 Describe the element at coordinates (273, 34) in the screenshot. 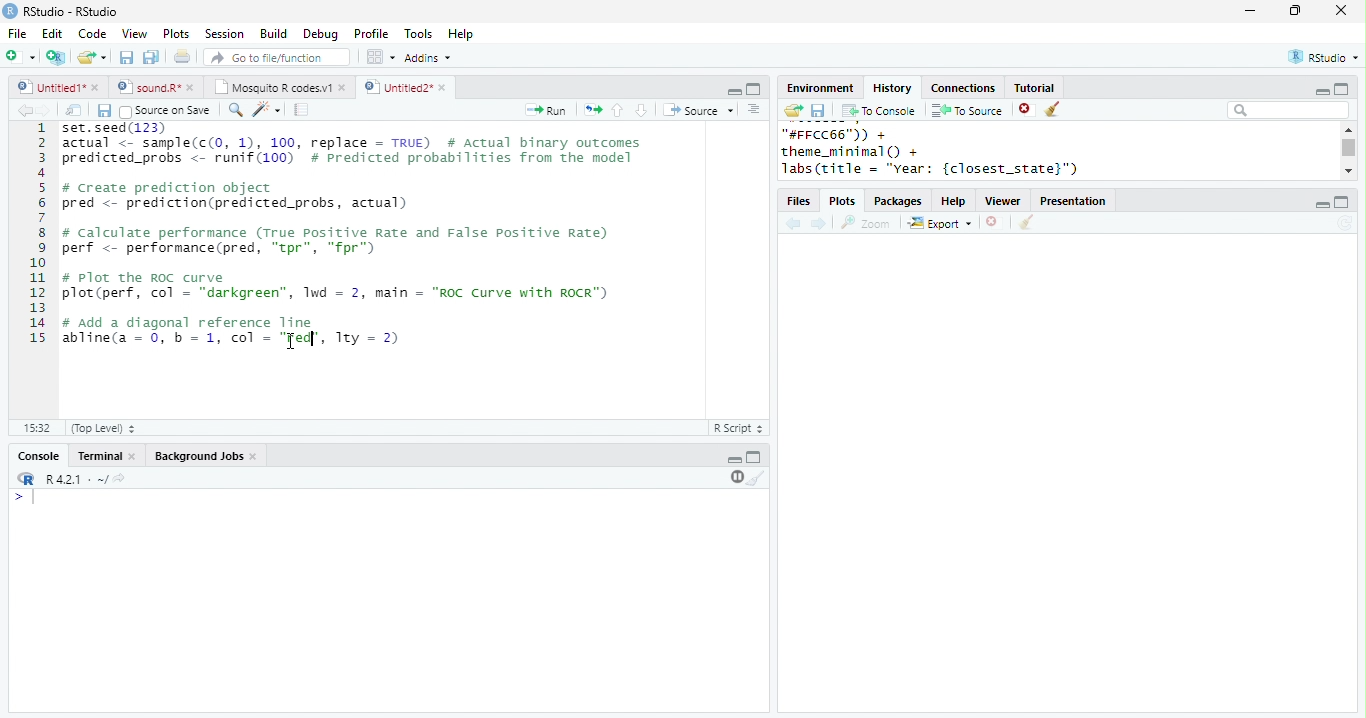

I see `Build` at that location.